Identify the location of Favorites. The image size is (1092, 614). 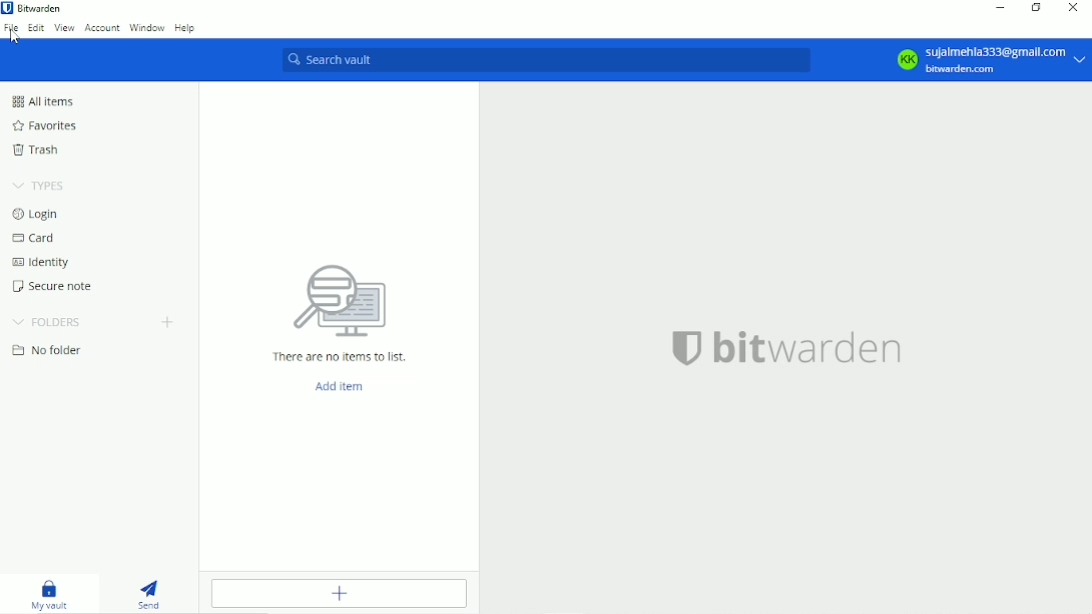
(54, 125).